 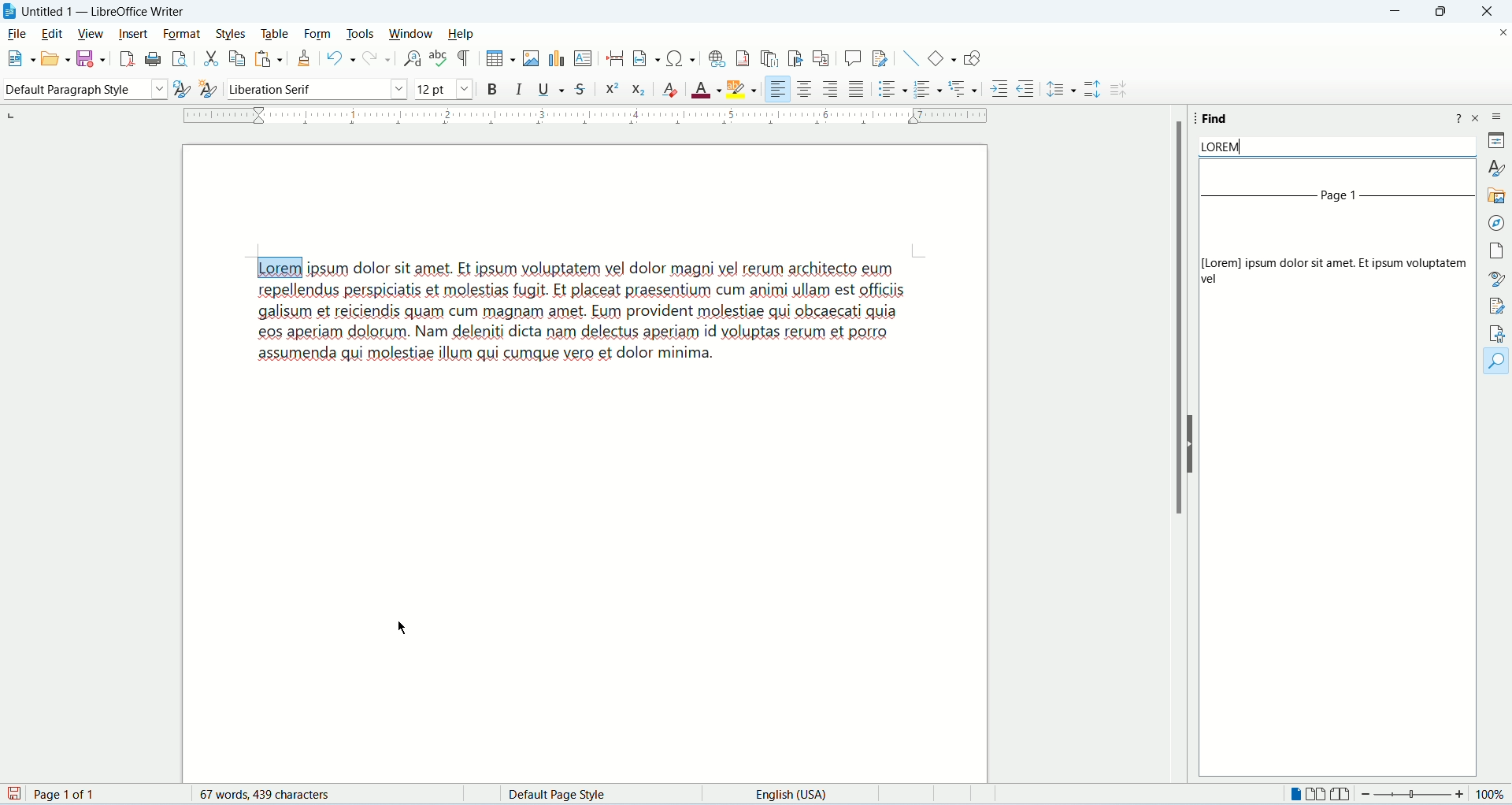 What do you see at coordinates (464, 58) in the screenshot?
I see `mark formatting` at bounding box center [464, 58].